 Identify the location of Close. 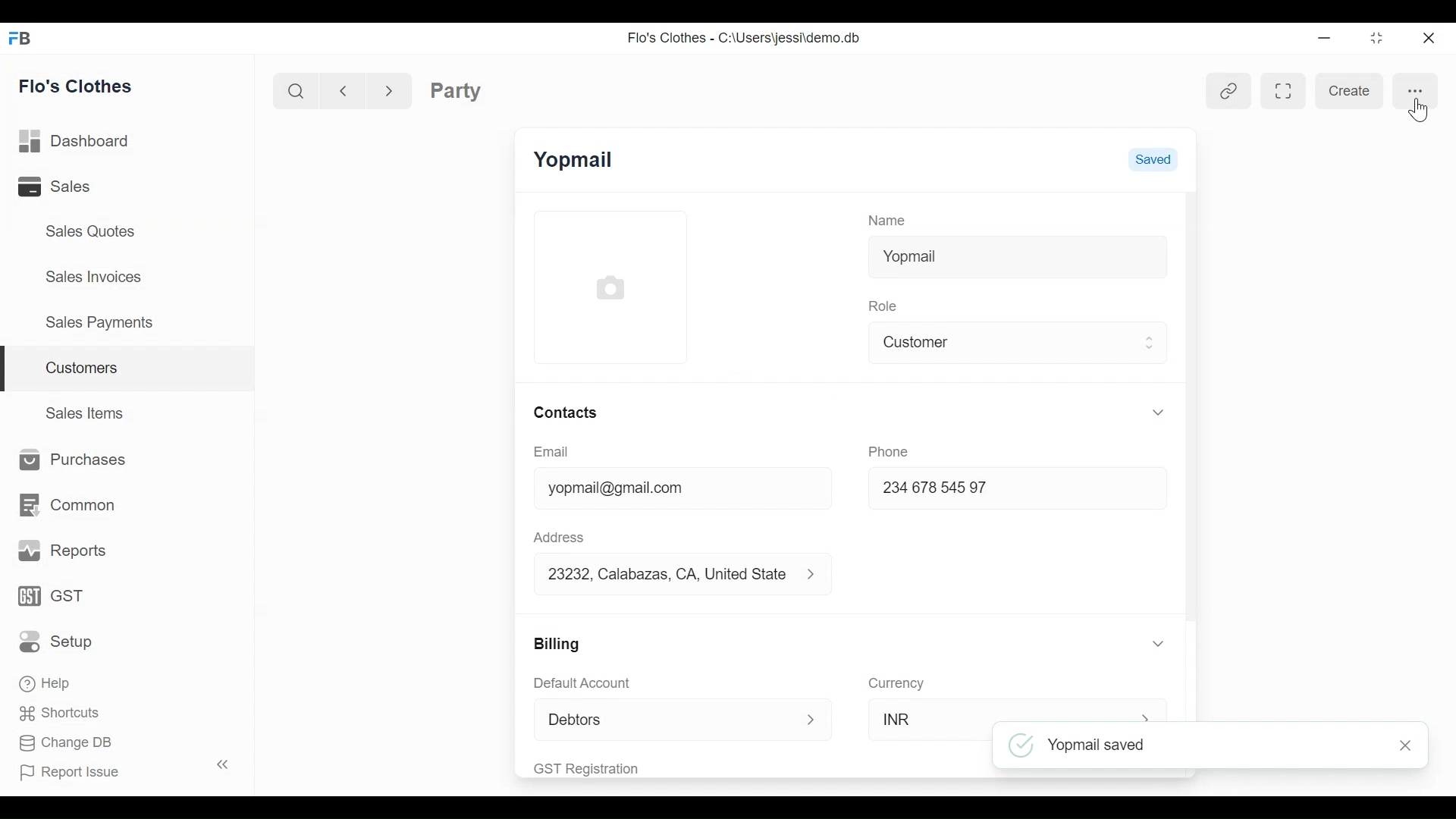
(1407, 746).